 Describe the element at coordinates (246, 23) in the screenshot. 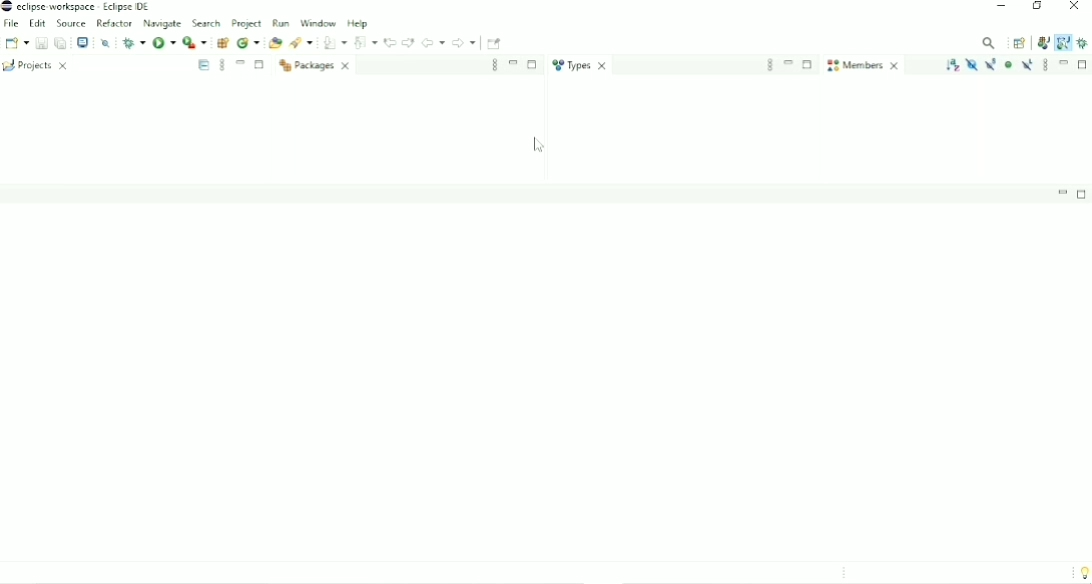

I see `Project` at that location.